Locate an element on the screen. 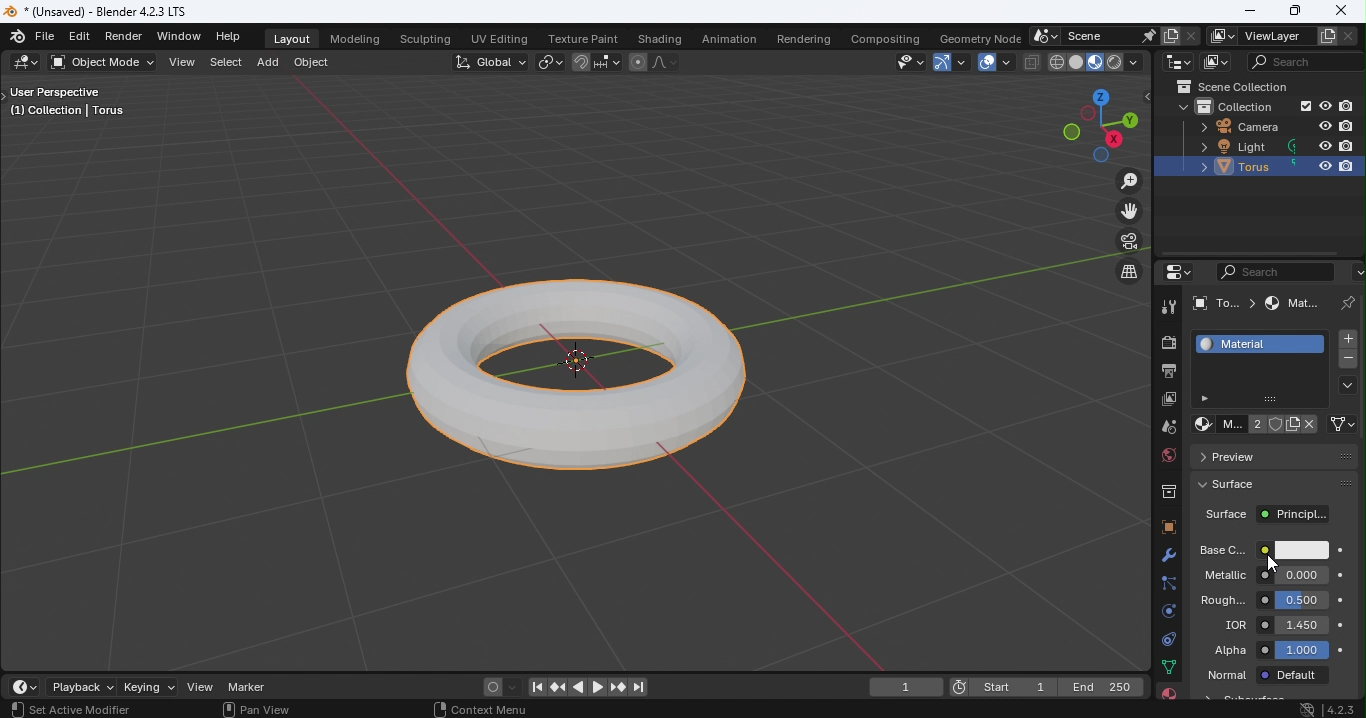 This screenshot has height=718, width=1366. End 250 is located at coordinates (1099, 688).